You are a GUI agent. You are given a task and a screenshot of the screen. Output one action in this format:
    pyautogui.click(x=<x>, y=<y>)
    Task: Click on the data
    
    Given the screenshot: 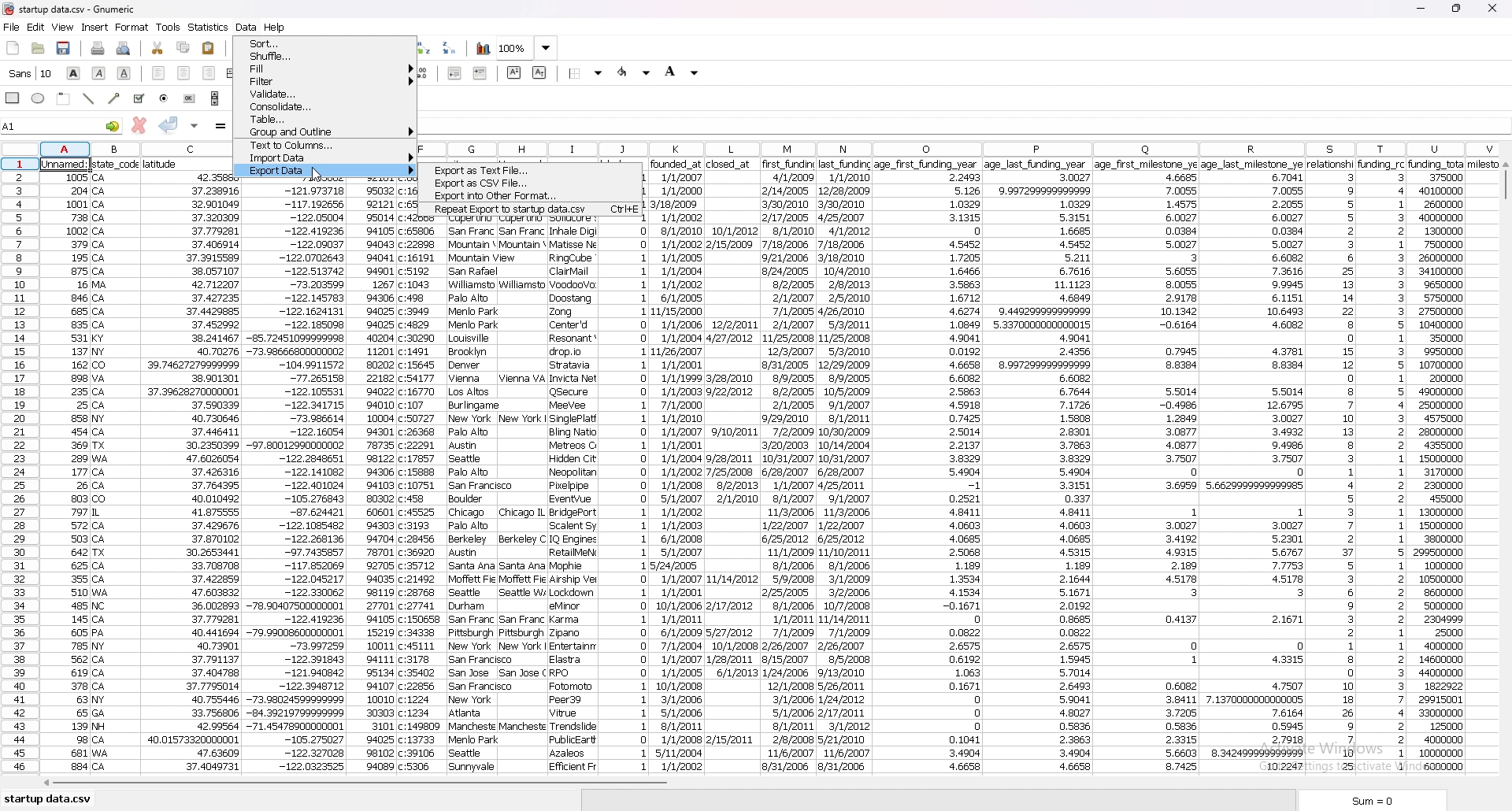 What is the action you would take?
    pyautogui.click(x=474, y=495)
    